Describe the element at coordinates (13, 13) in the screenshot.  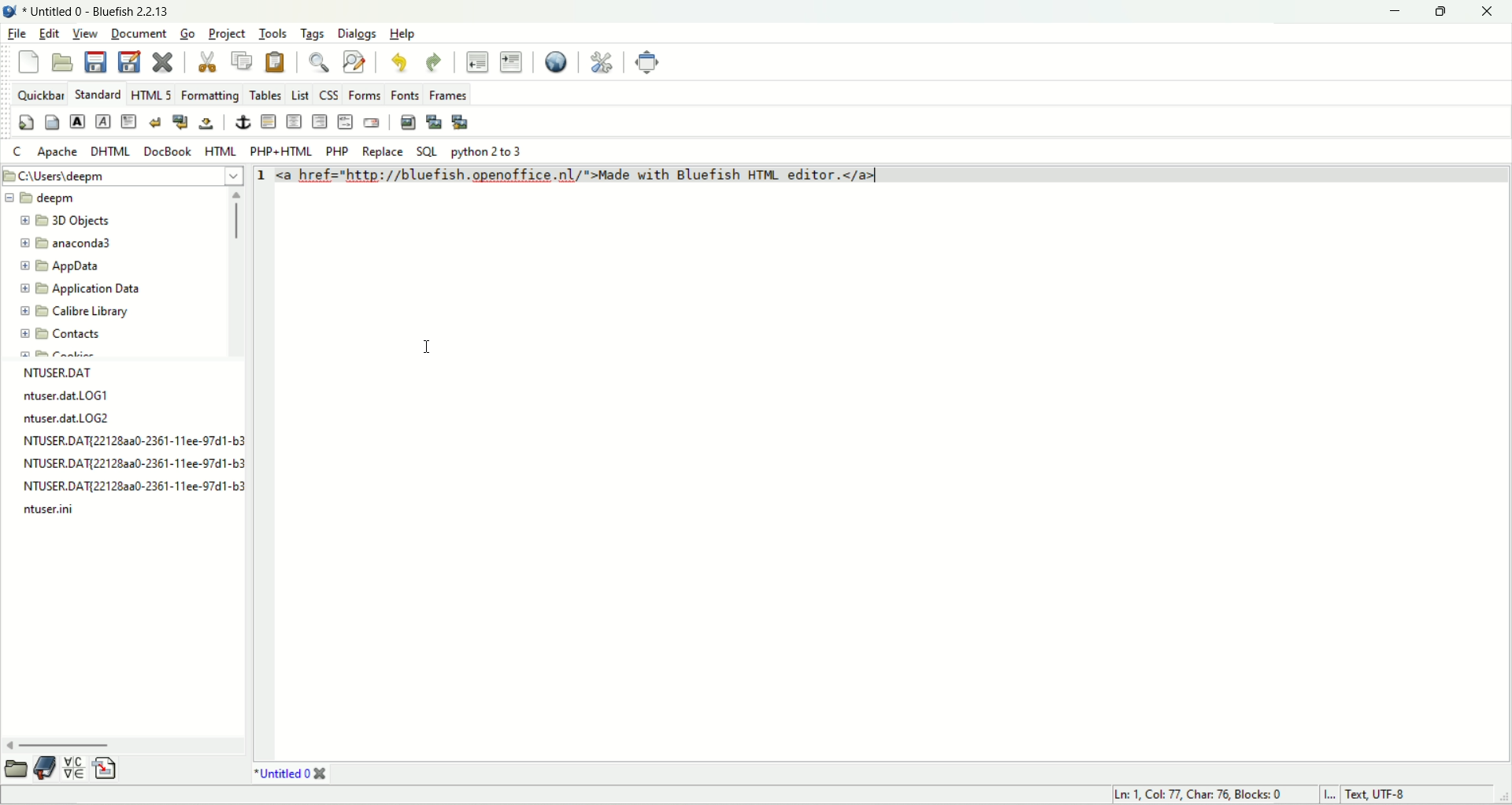
I see `logo` at that location.